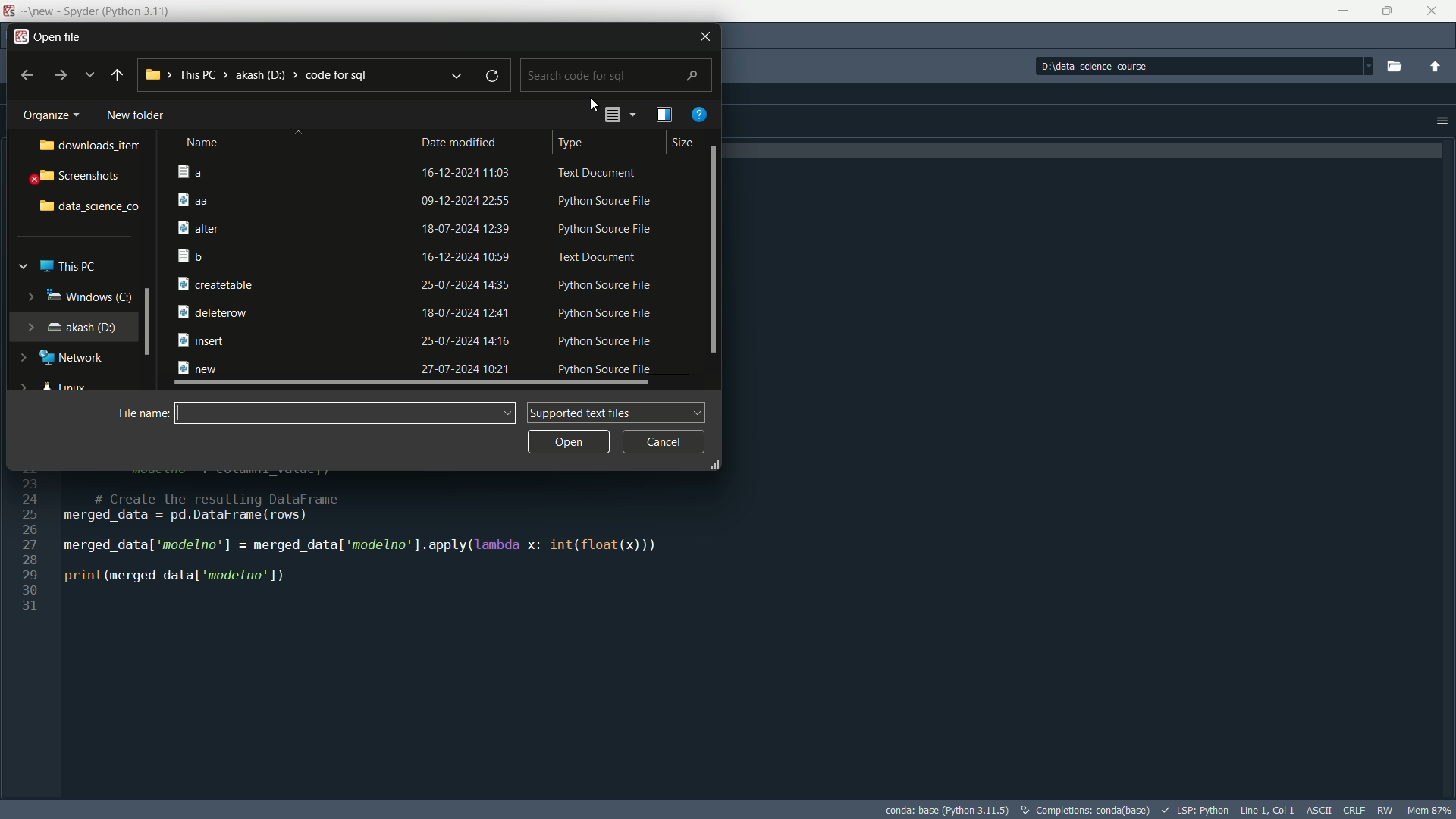  I want to click on name, so click(204, 143).